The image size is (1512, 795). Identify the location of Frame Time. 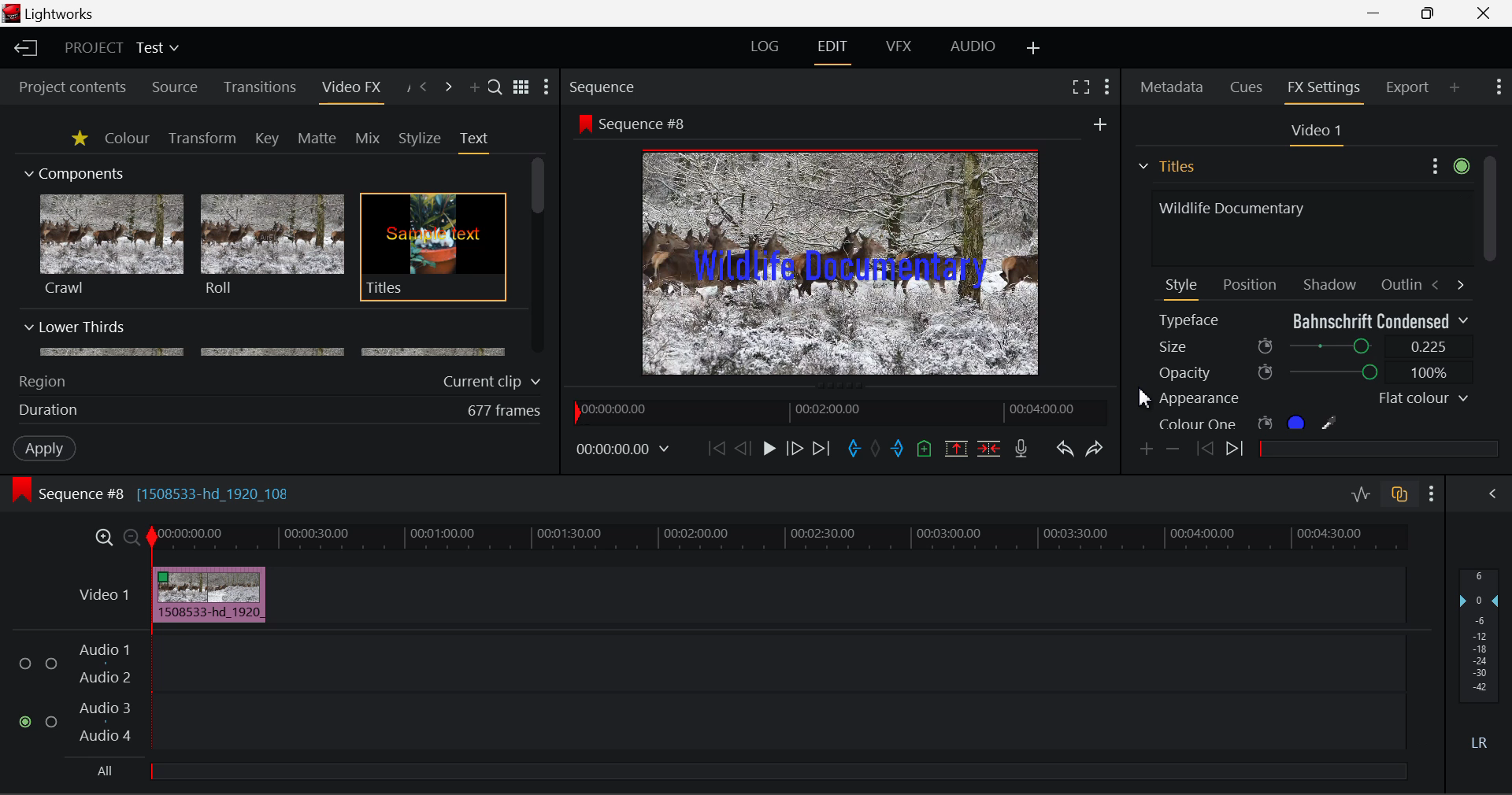
(624, 451).